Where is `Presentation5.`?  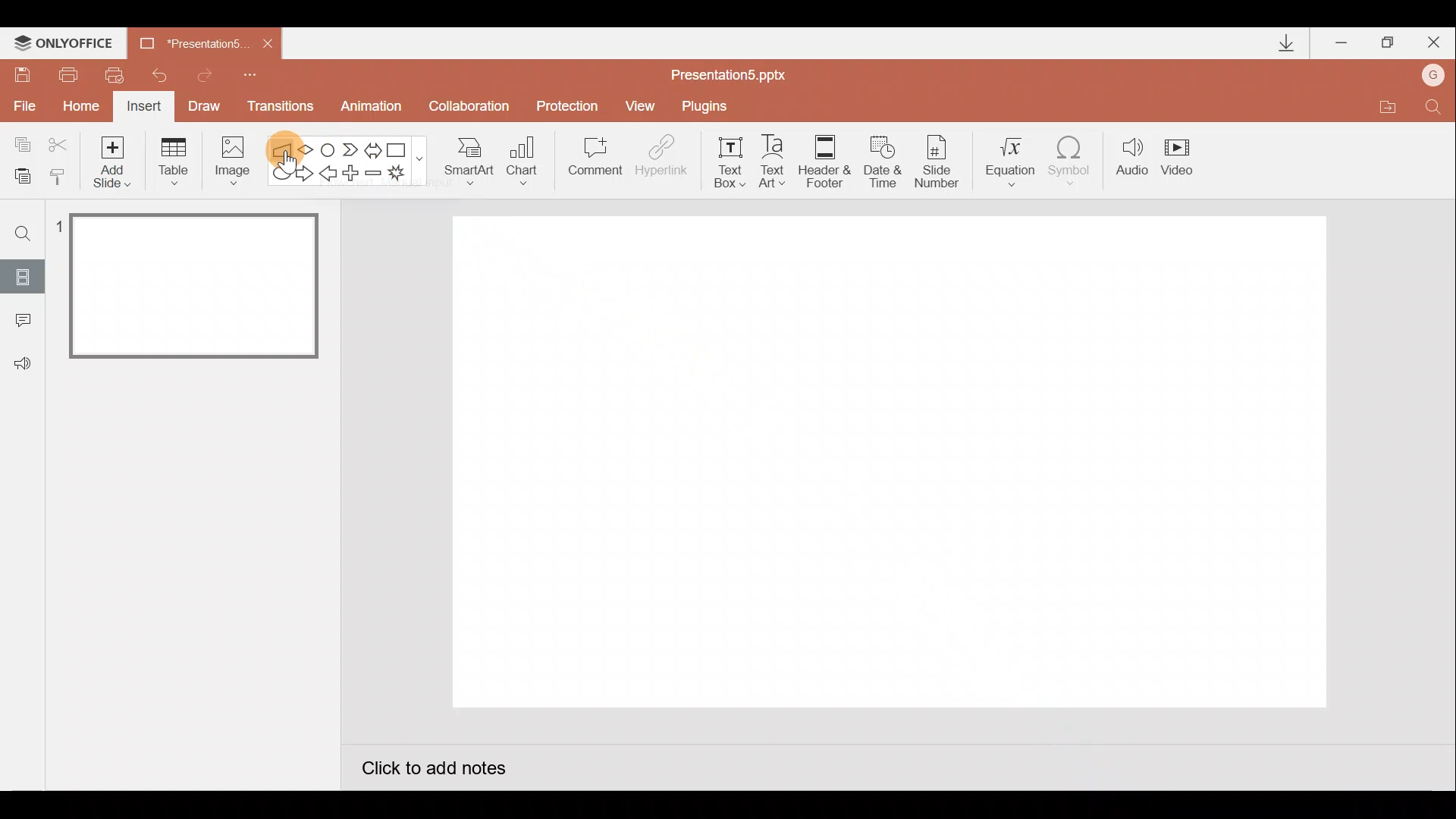 Presentation5. is located at coordinates (187, 41).